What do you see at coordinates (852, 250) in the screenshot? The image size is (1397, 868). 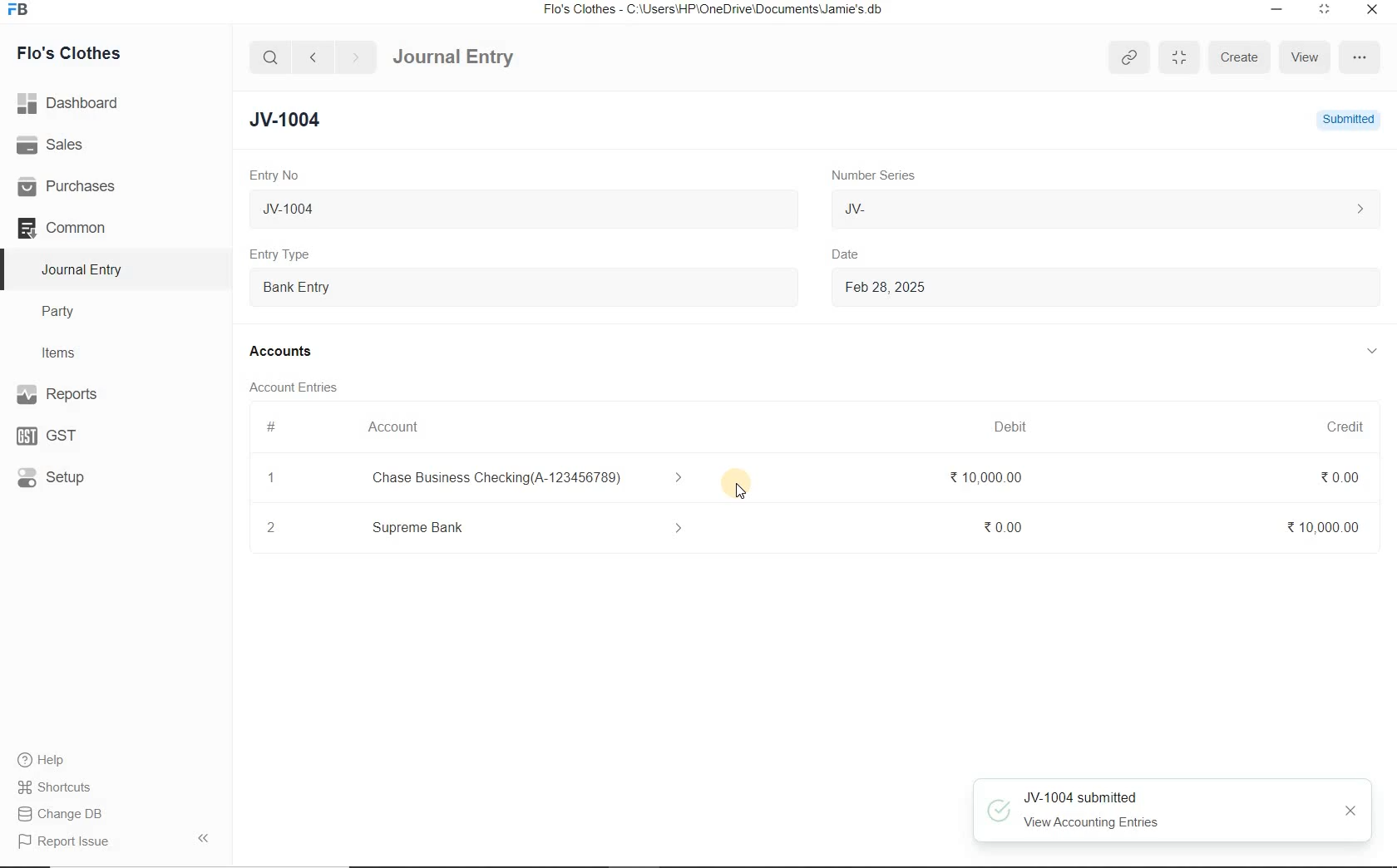 I see `Date` at bounding box center [852, 250].